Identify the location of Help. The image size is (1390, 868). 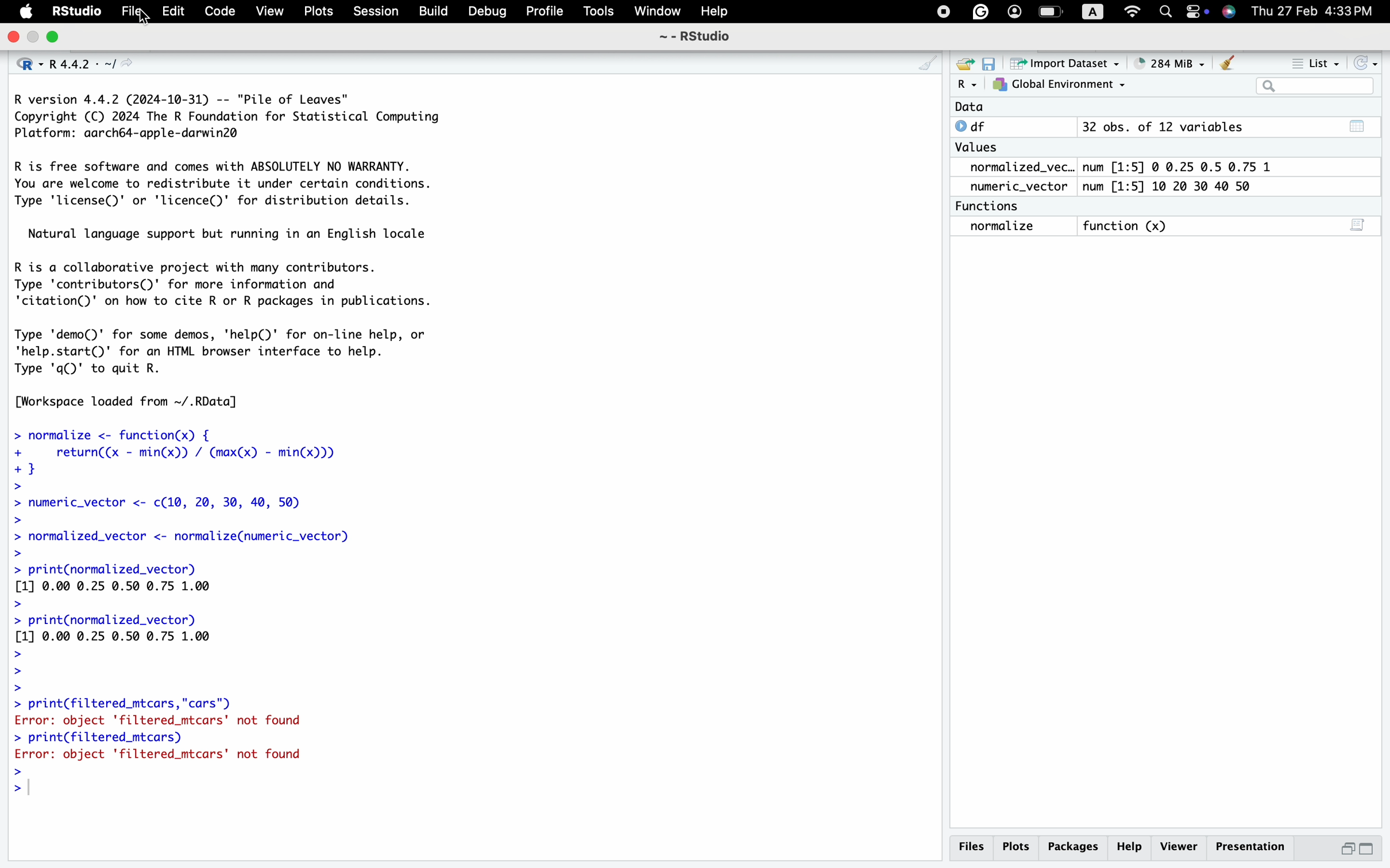
(719, 10).